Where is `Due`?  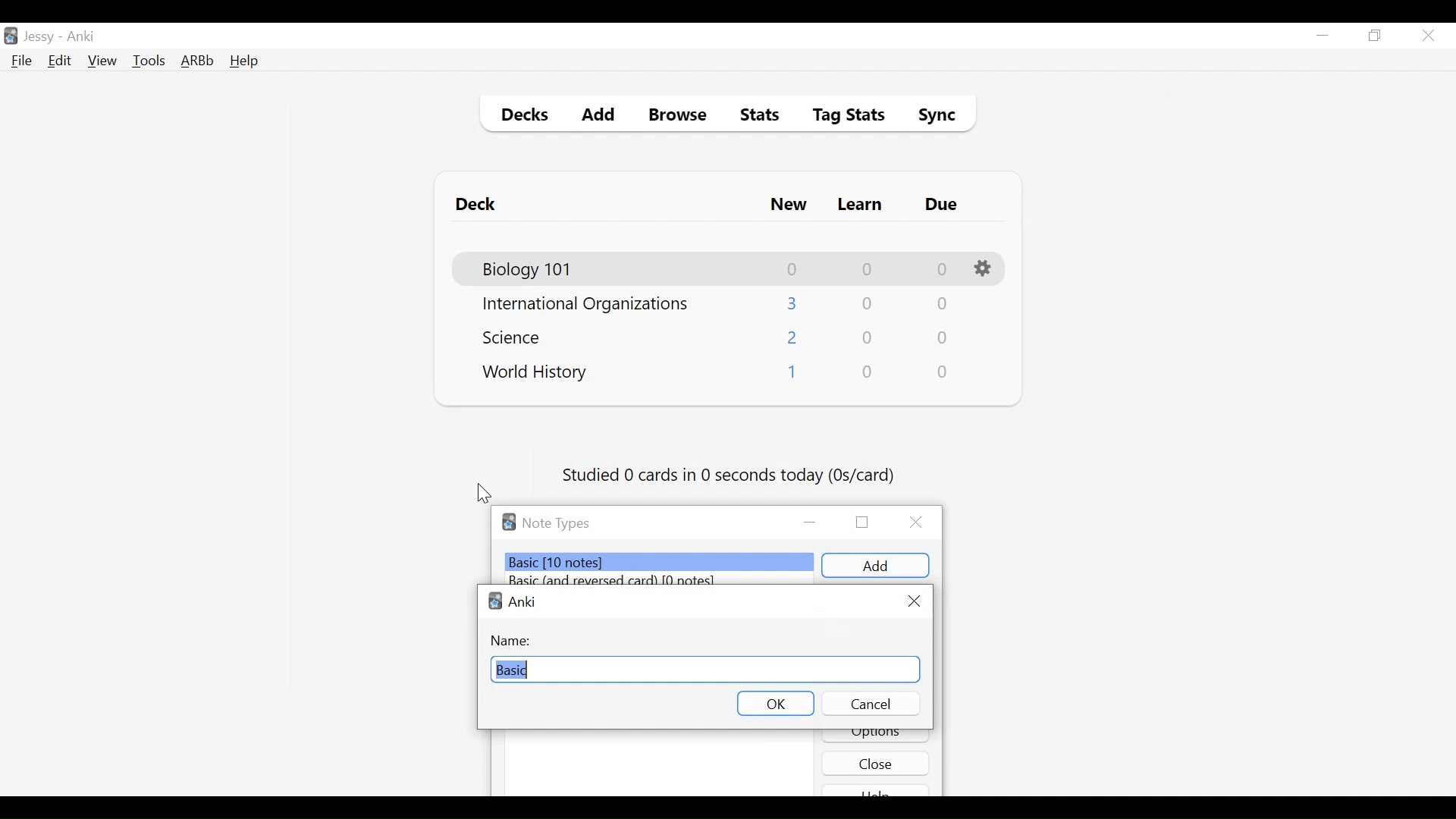
Due is located at coordinates (943, 205).